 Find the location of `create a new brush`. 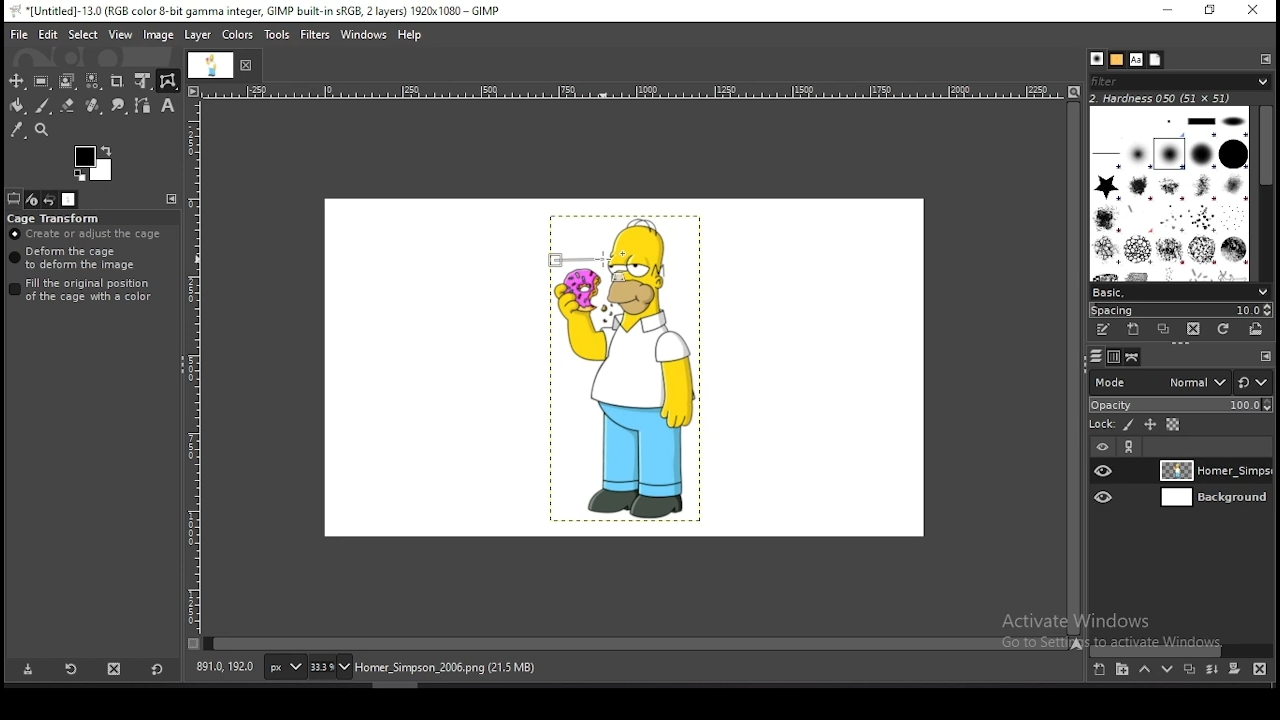

create a new brush is located at coordinates (1136, 331).